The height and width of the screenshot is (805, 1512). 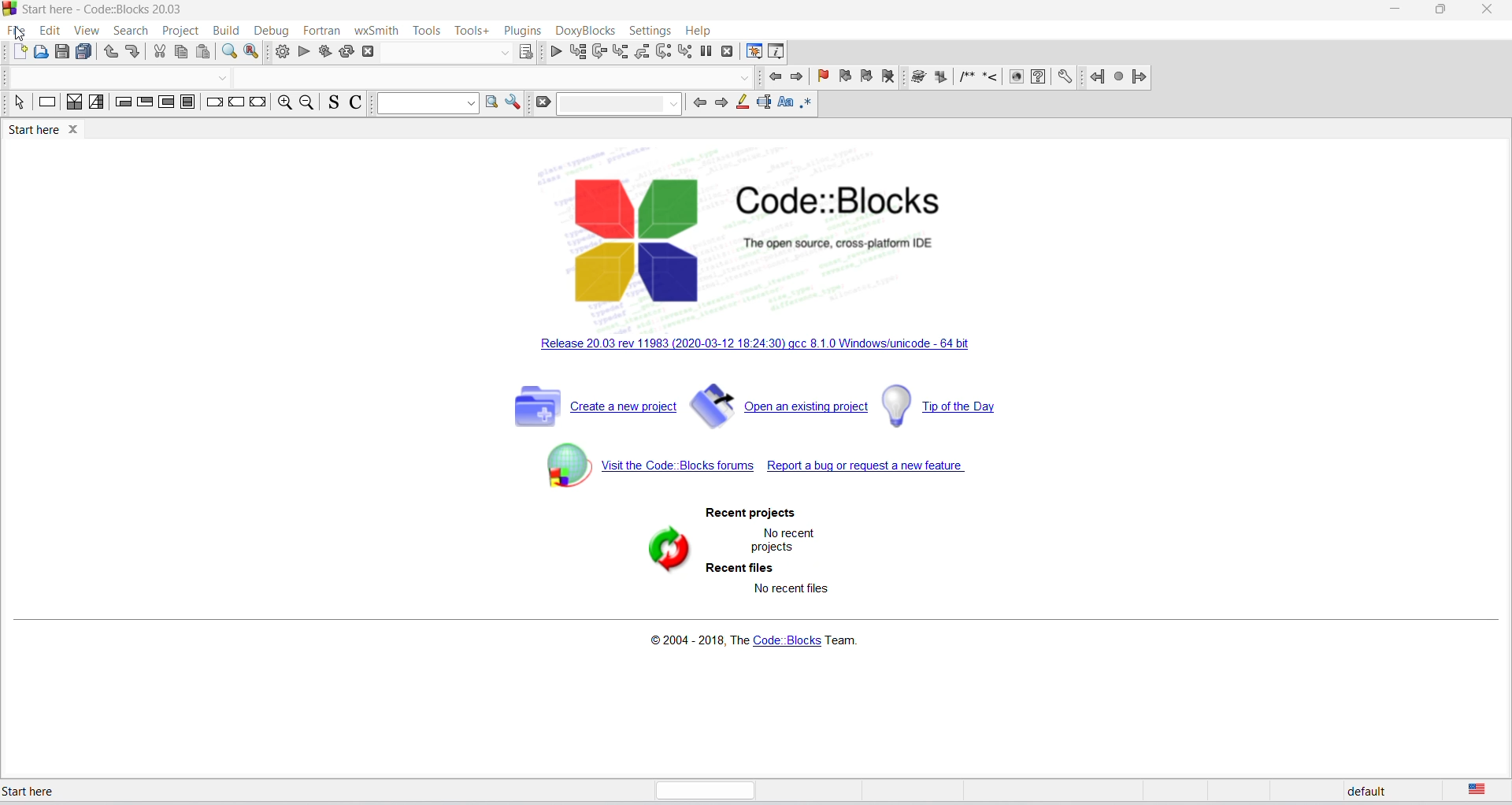 What do you see at coordinates (551, 51) in the screenshot?
I see `debug/continue` at bounding box center [551, 51].